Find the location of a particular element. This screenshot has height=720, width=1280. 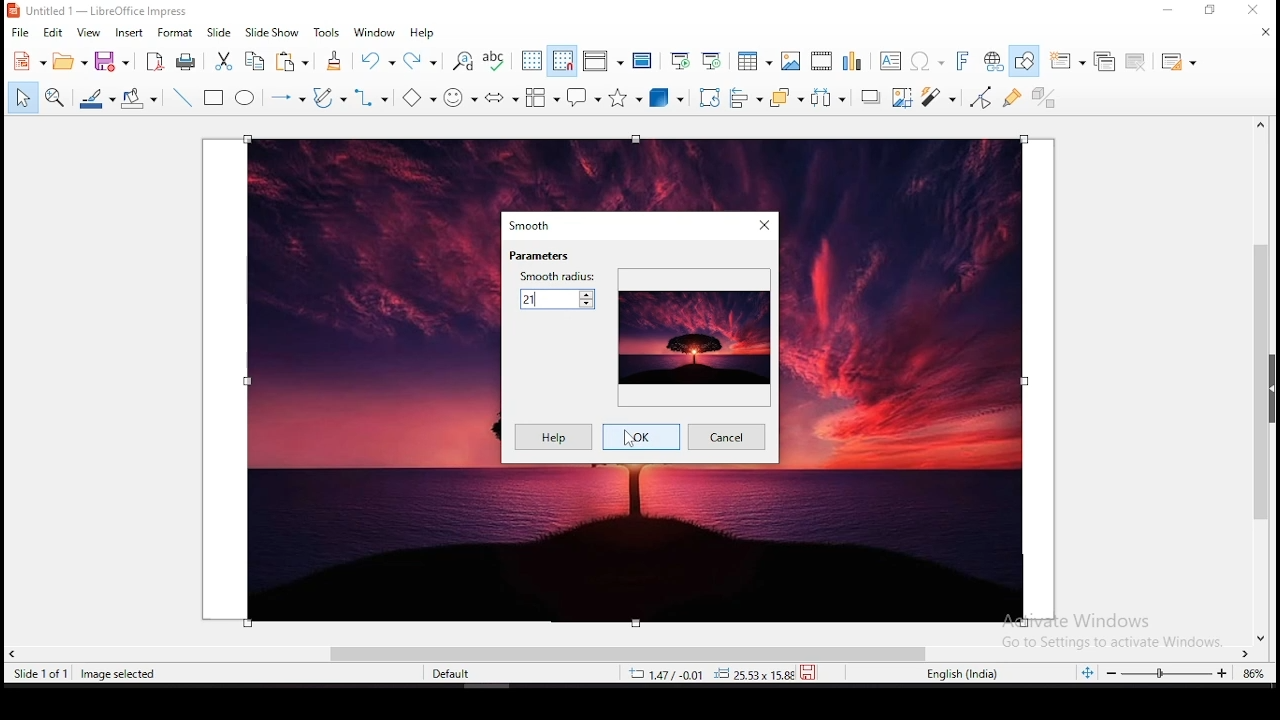

open is located at coordinates (68, 62).